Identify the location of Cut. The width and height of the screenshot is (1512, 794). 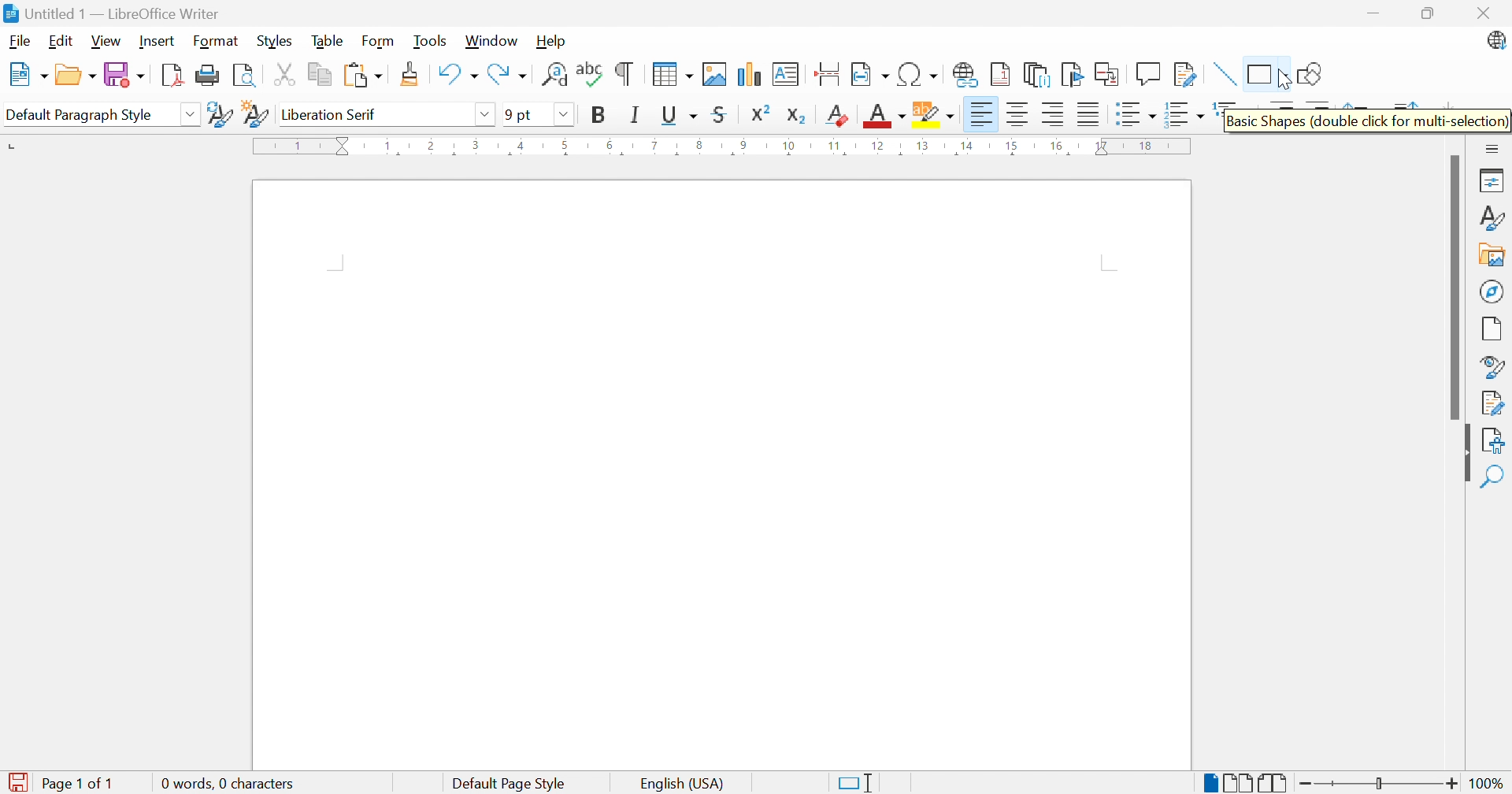
(284, 75).